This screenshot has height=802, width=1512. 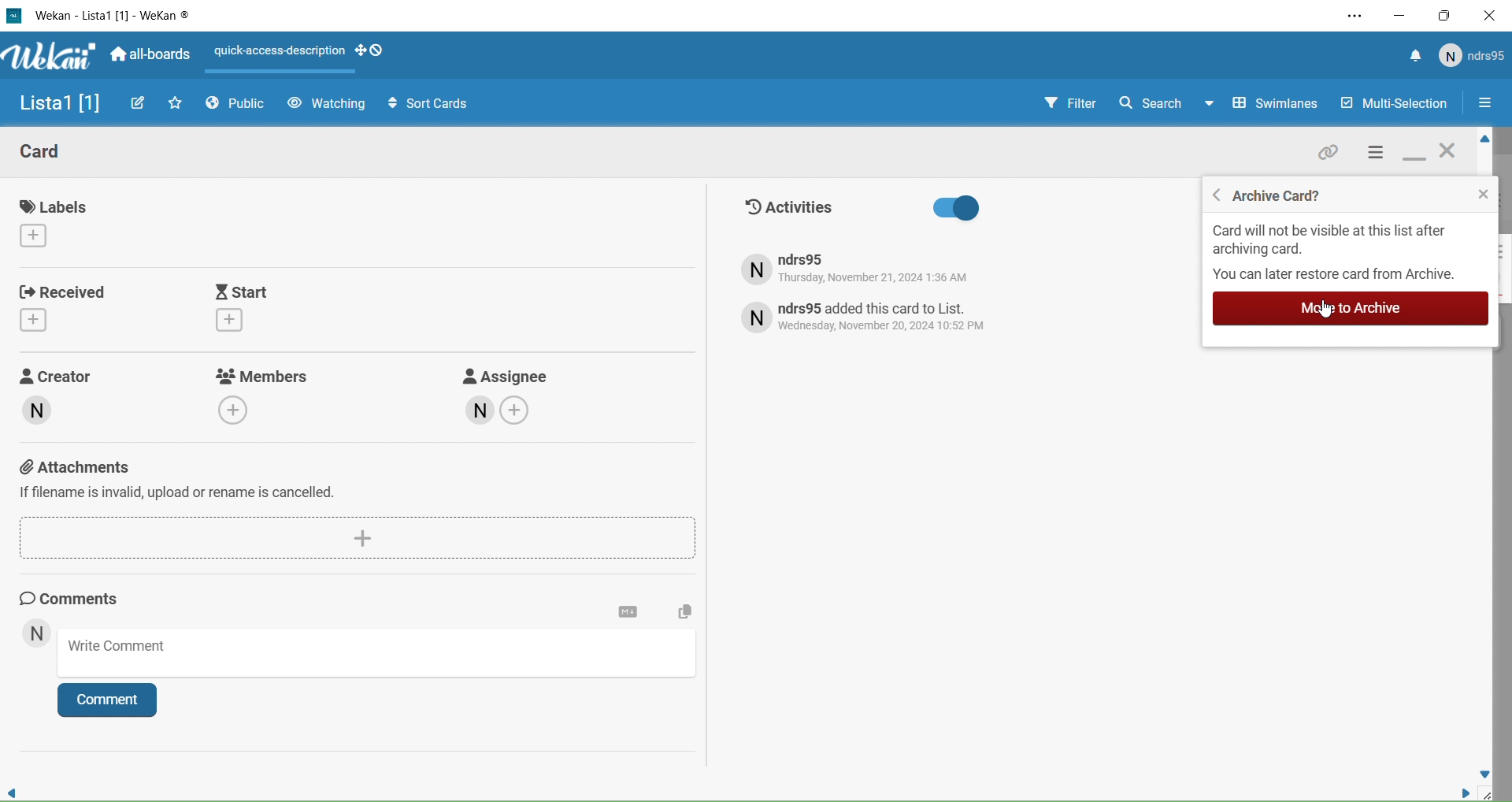 I want to click on Filter, so click(x=1058, y=104).